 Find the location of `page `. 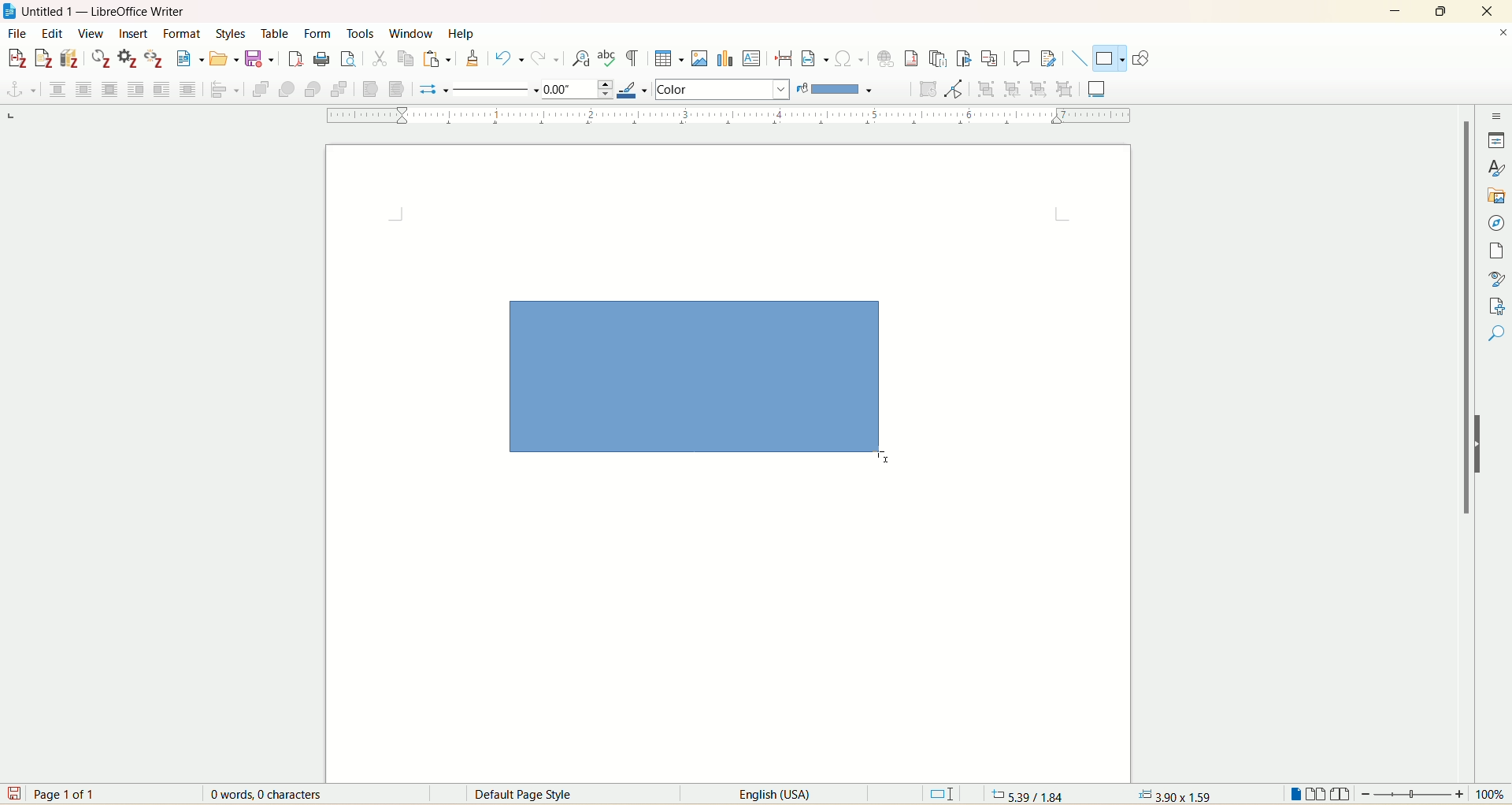

page  is located at coordinates (1499, 251).